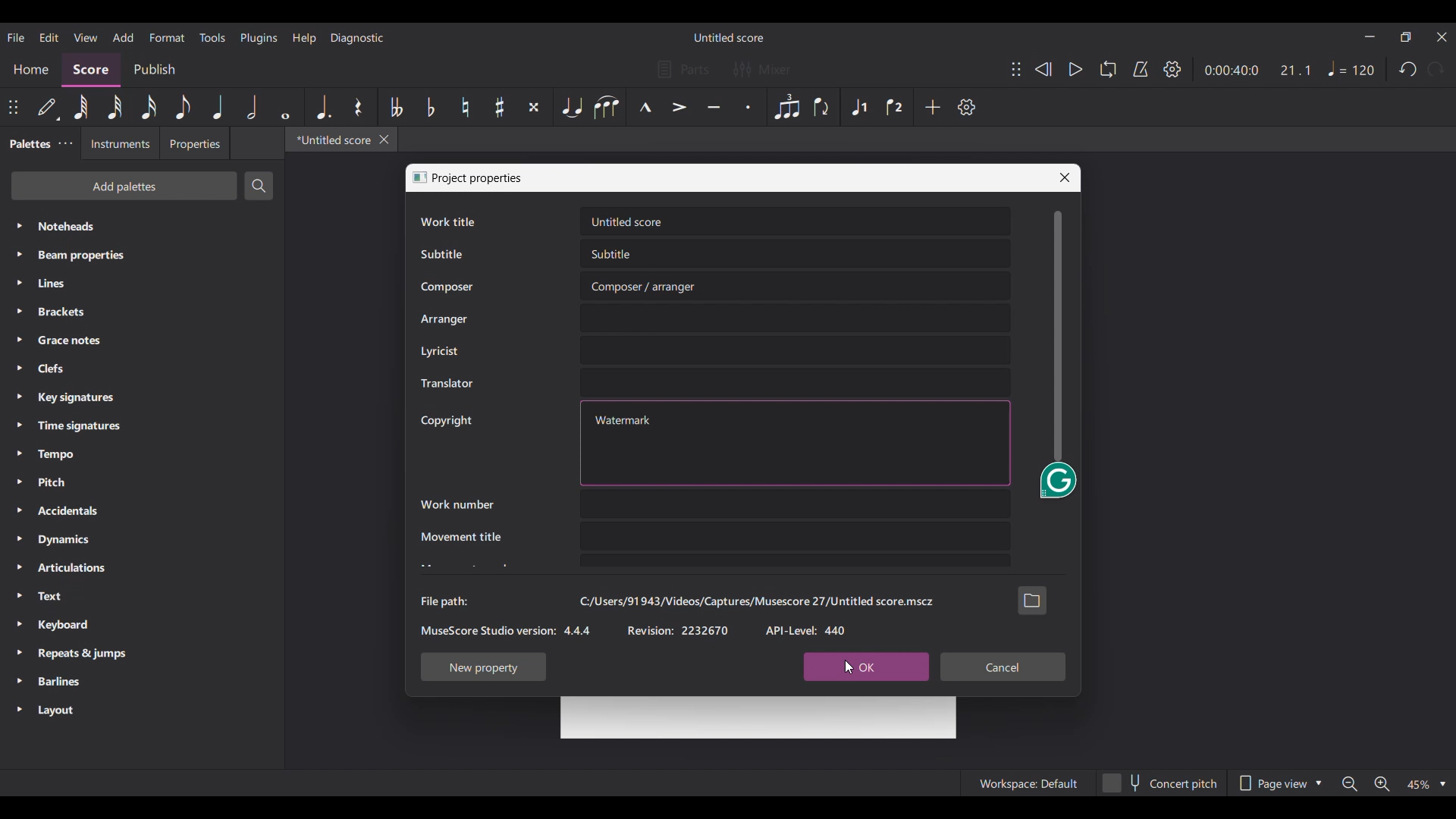 This screenshot has height=819, width=1456. What do you see at coordinates (1435, 69) in the screenshot?
I see `Redo` at bounding box center [1435, 69].